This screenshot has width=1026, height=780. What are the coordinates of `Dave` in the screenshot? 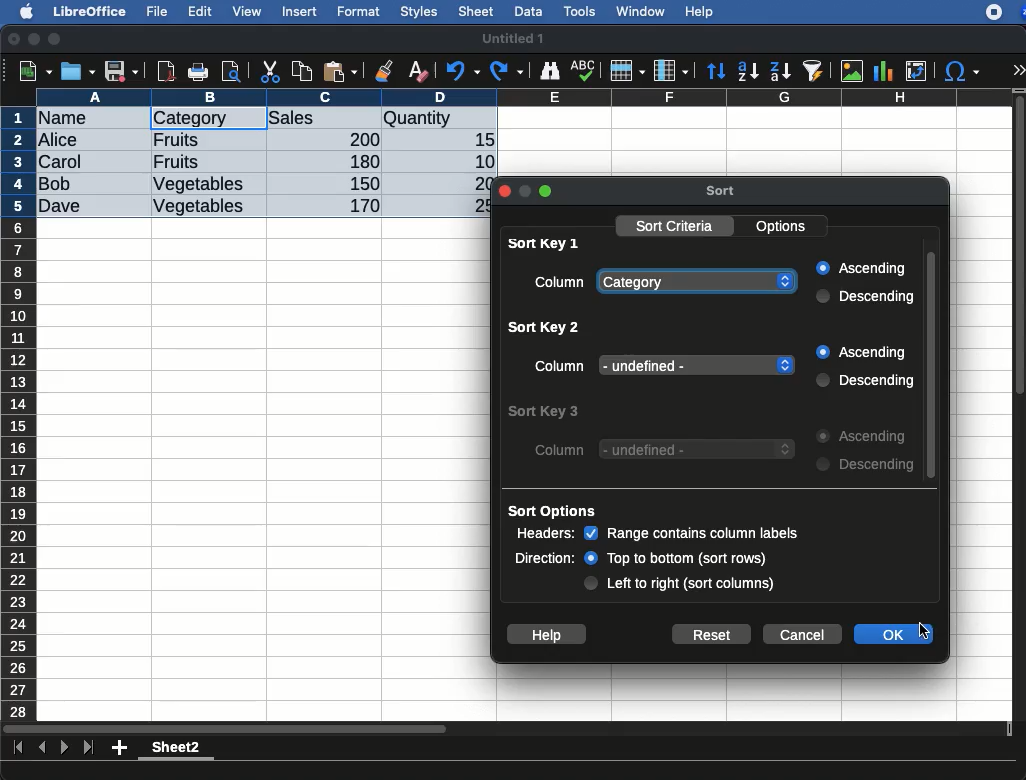 It's located at (64, 207).